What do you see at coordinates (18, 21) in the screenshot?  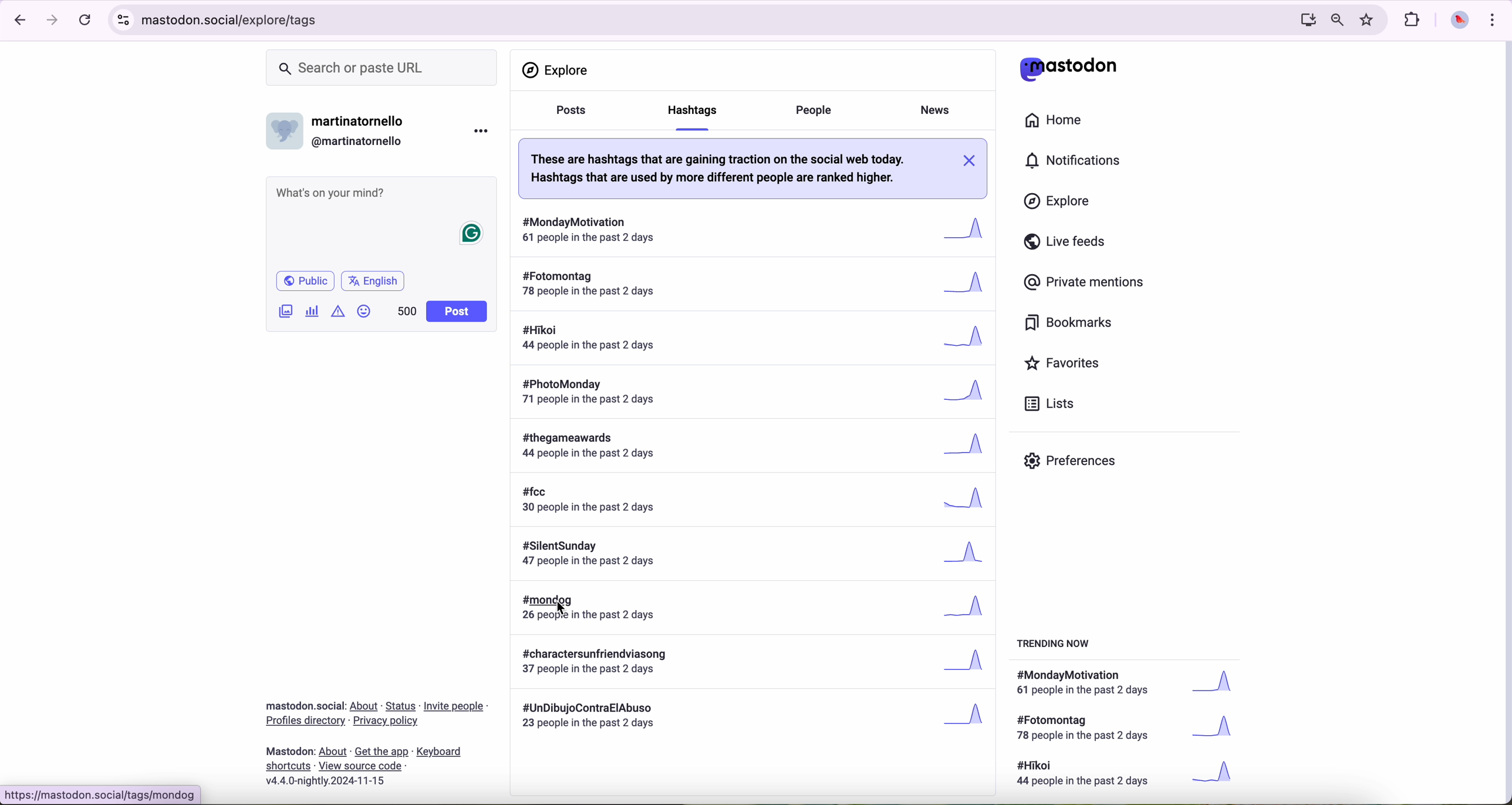 I see `navigate back` at bounding box center [18, 21].